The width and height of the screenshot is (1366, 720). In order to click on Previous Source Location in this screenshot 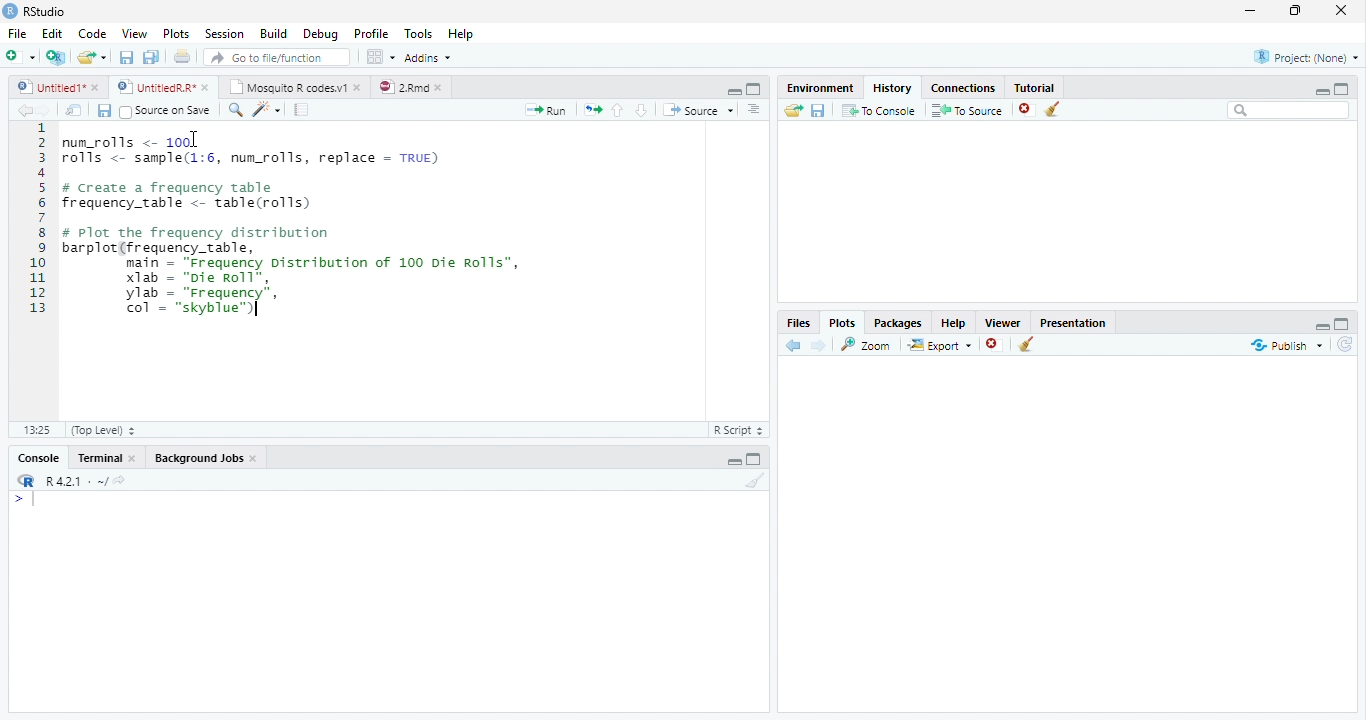, I will do `click(22, 110)`.